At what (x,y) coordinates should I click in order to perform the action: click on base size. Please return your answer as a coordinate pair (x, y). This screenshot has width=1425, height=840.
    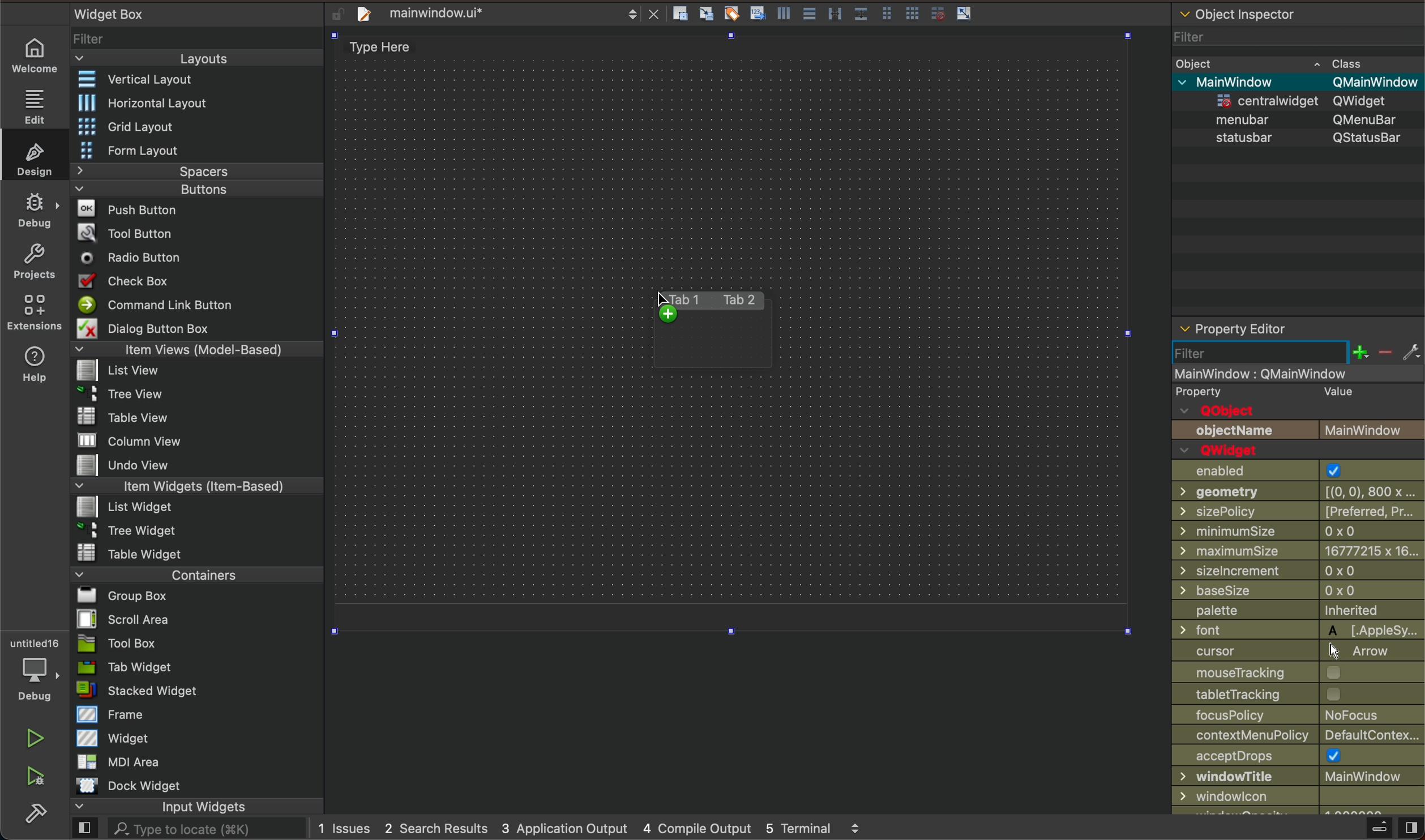
    Looking at the image, I should click on (1298, 589).